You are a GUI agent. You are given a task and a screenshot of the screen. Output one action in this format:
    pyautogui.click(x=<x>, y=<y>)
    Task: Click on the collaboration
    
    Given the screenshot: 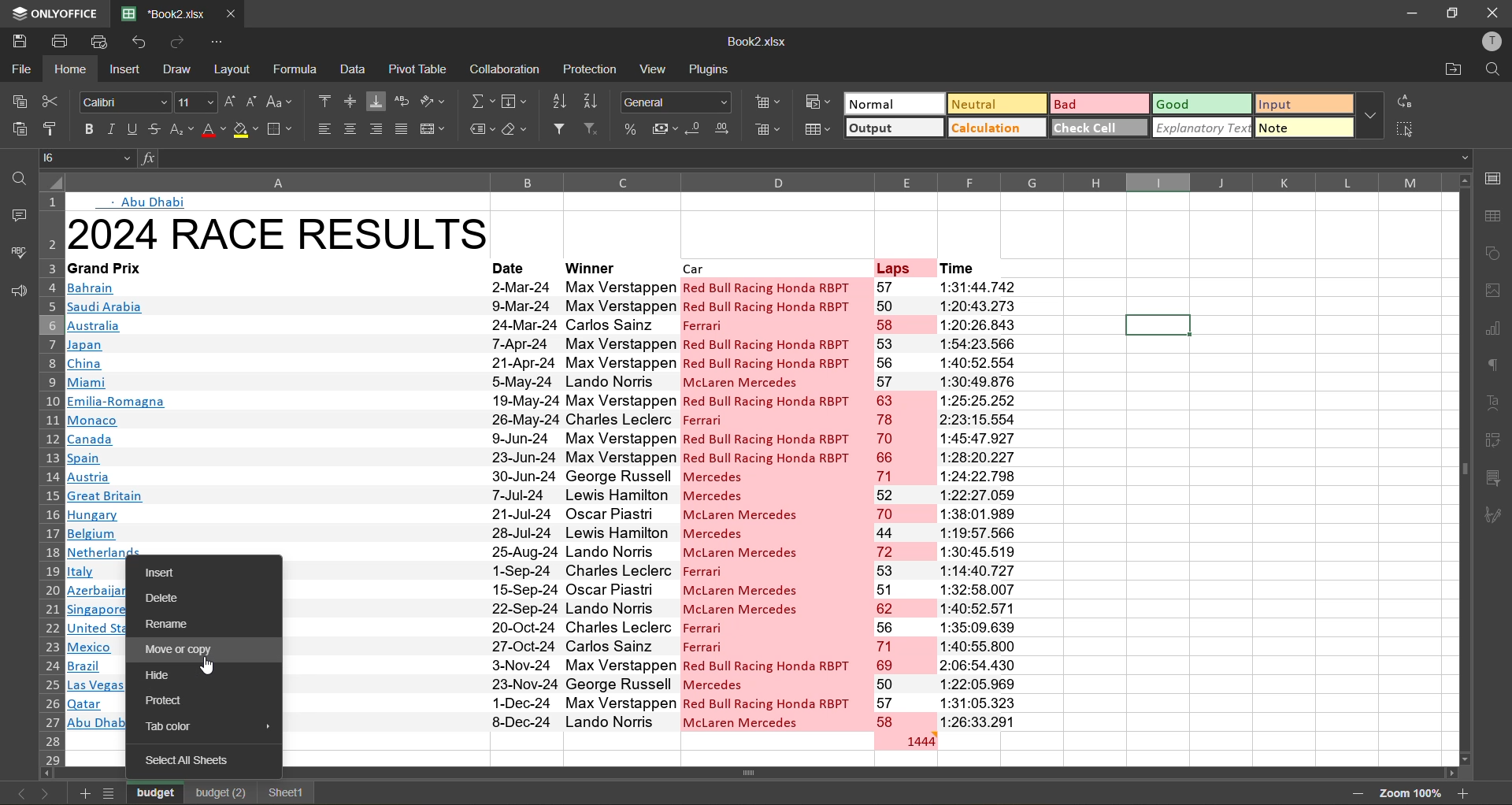 What is the action you would take?
    pyautogui.click(x=507, y=70)
    